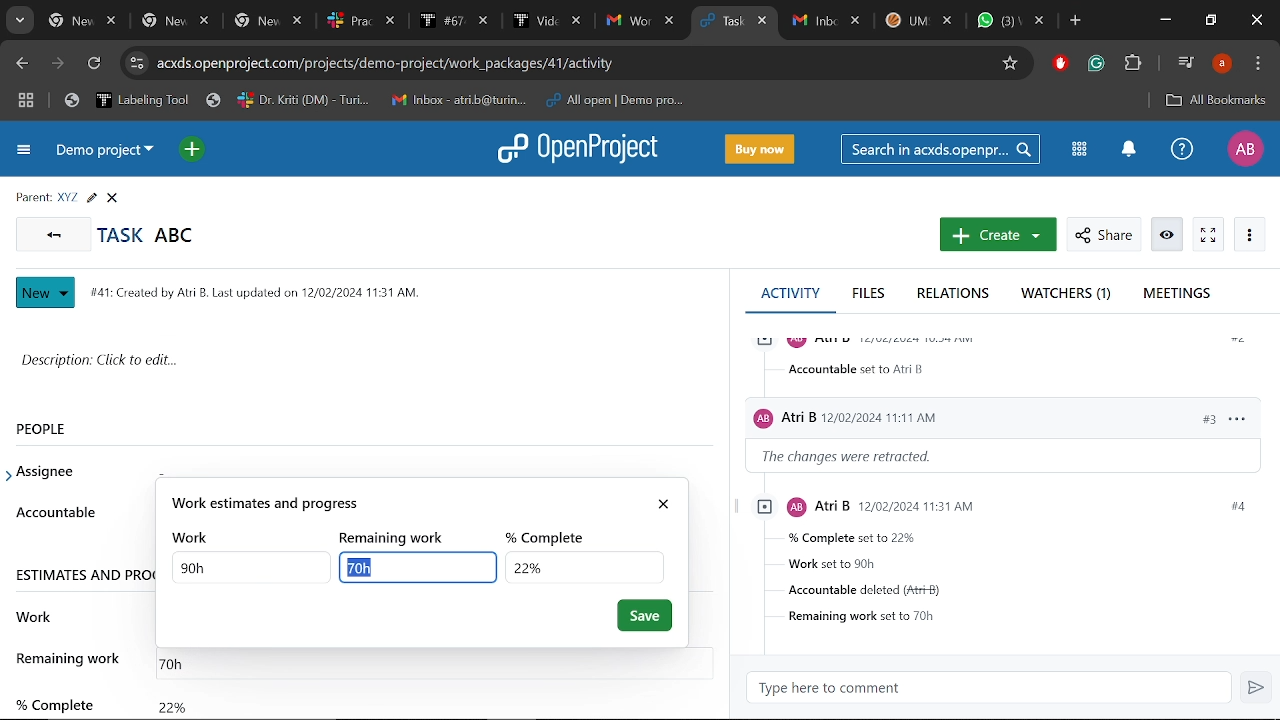 This screenshot has height=720, width=1280. I want to click on Buy now, so click(763, 148).